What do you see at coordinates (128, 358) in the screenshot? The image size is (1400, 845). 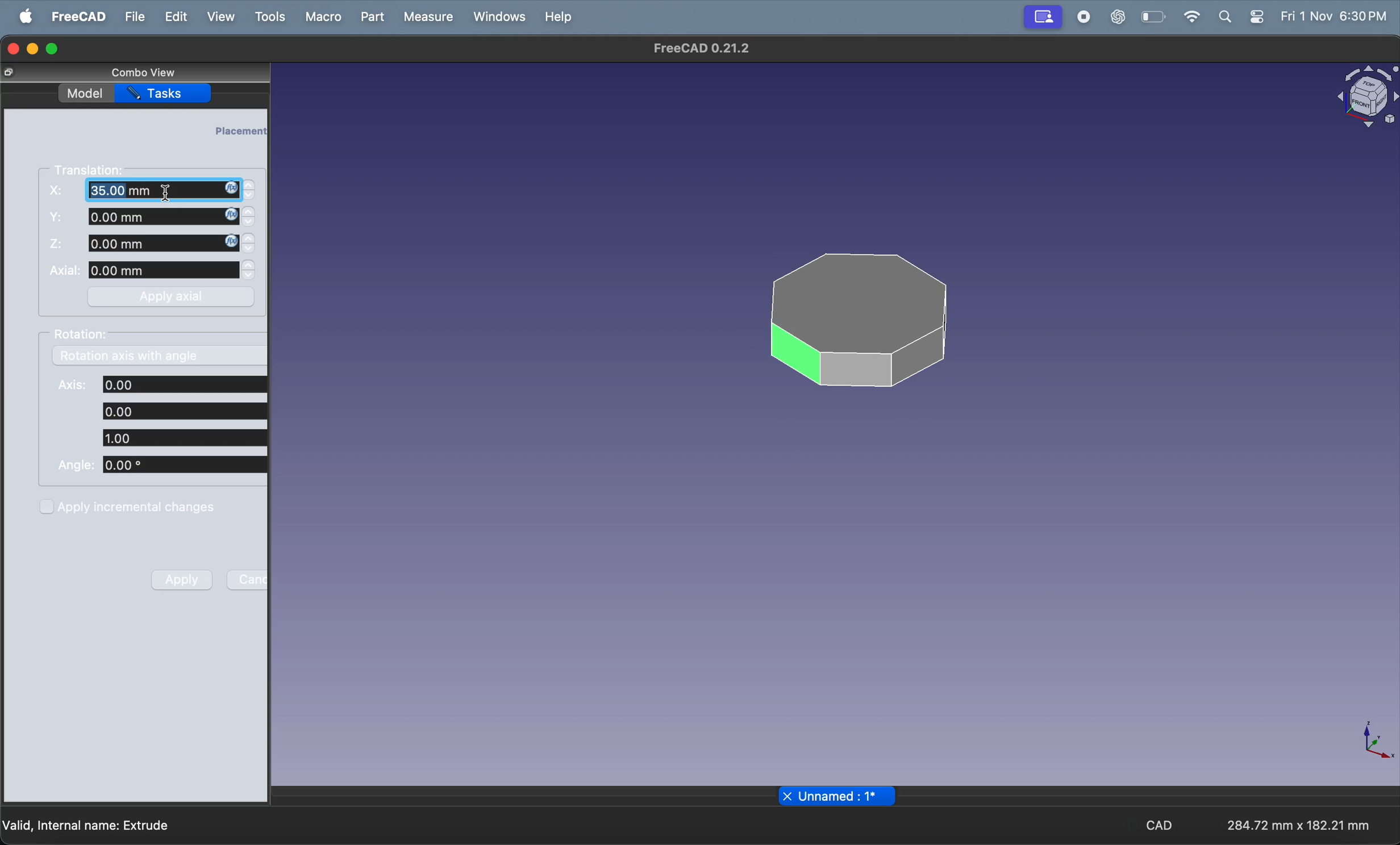 I see `Rotation axis with angle` at bounding box center [128, 358].